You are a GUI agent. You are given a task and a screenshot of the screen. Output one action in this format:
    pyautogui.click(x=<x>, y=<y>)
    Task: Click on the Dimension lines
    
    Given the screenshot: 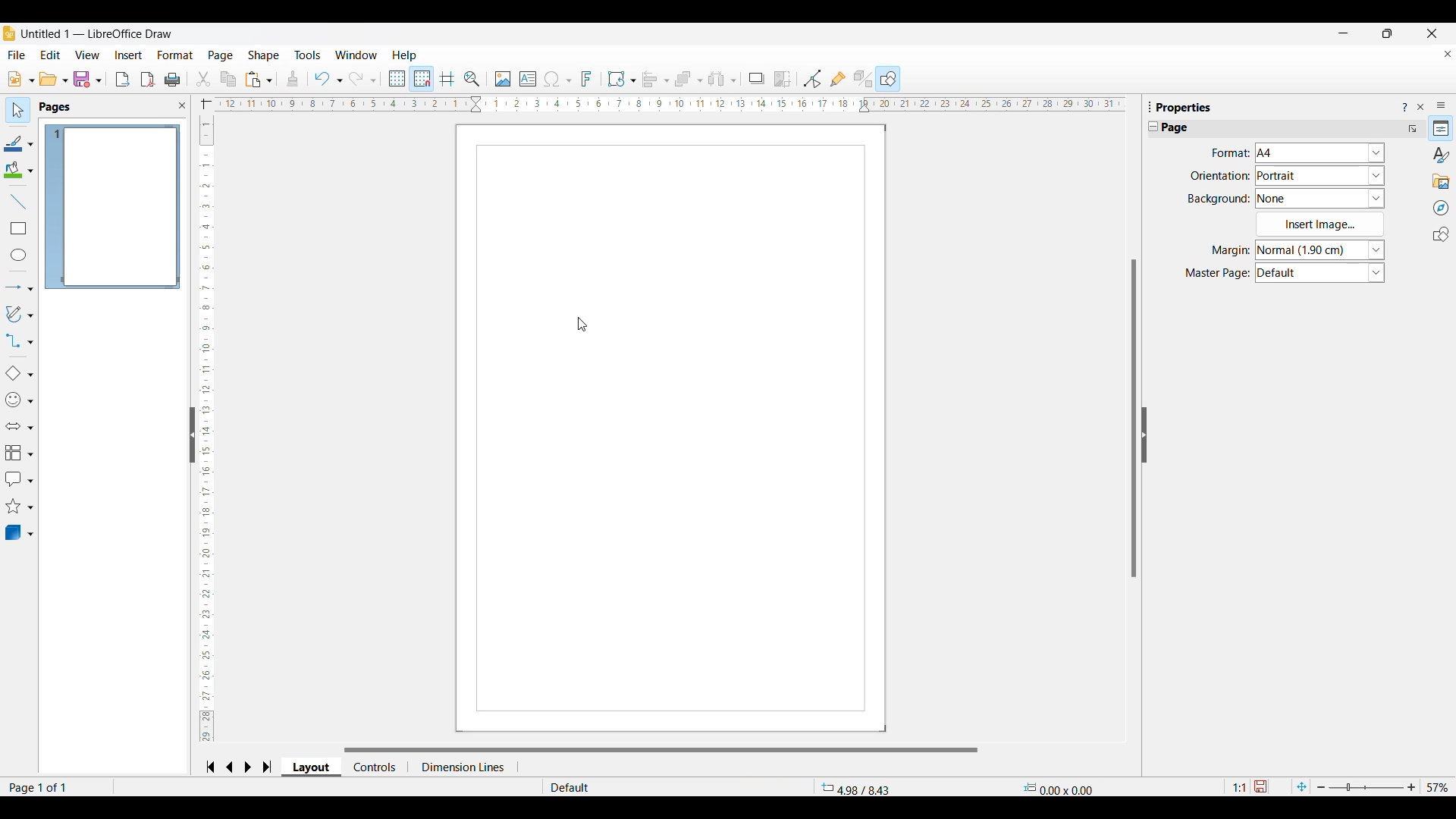 What is the action you would take?
    pyautogui.click(x=469, y=767)
    